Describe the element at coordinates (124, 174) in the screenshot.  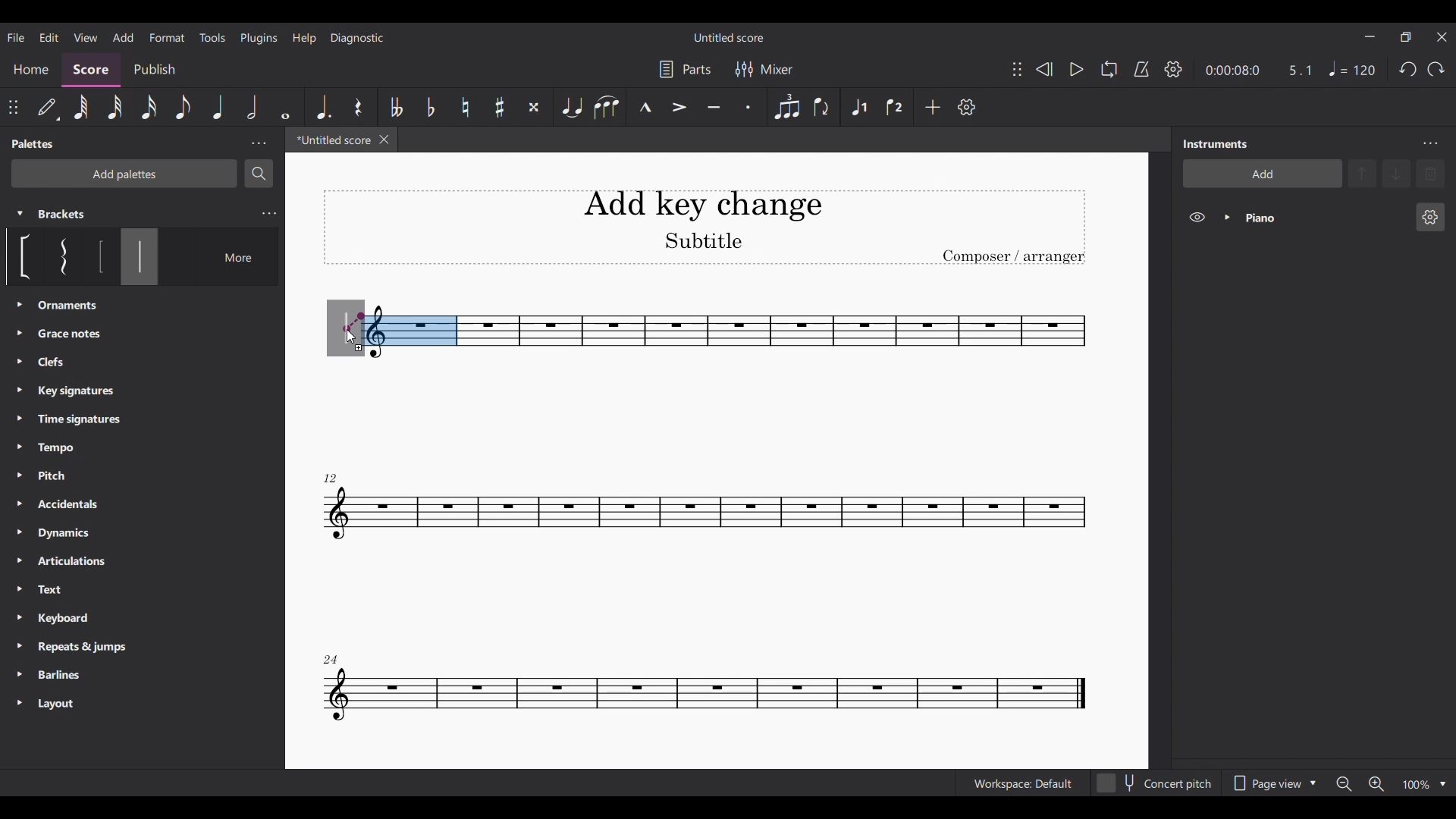
I see `Add palettes` at that location.